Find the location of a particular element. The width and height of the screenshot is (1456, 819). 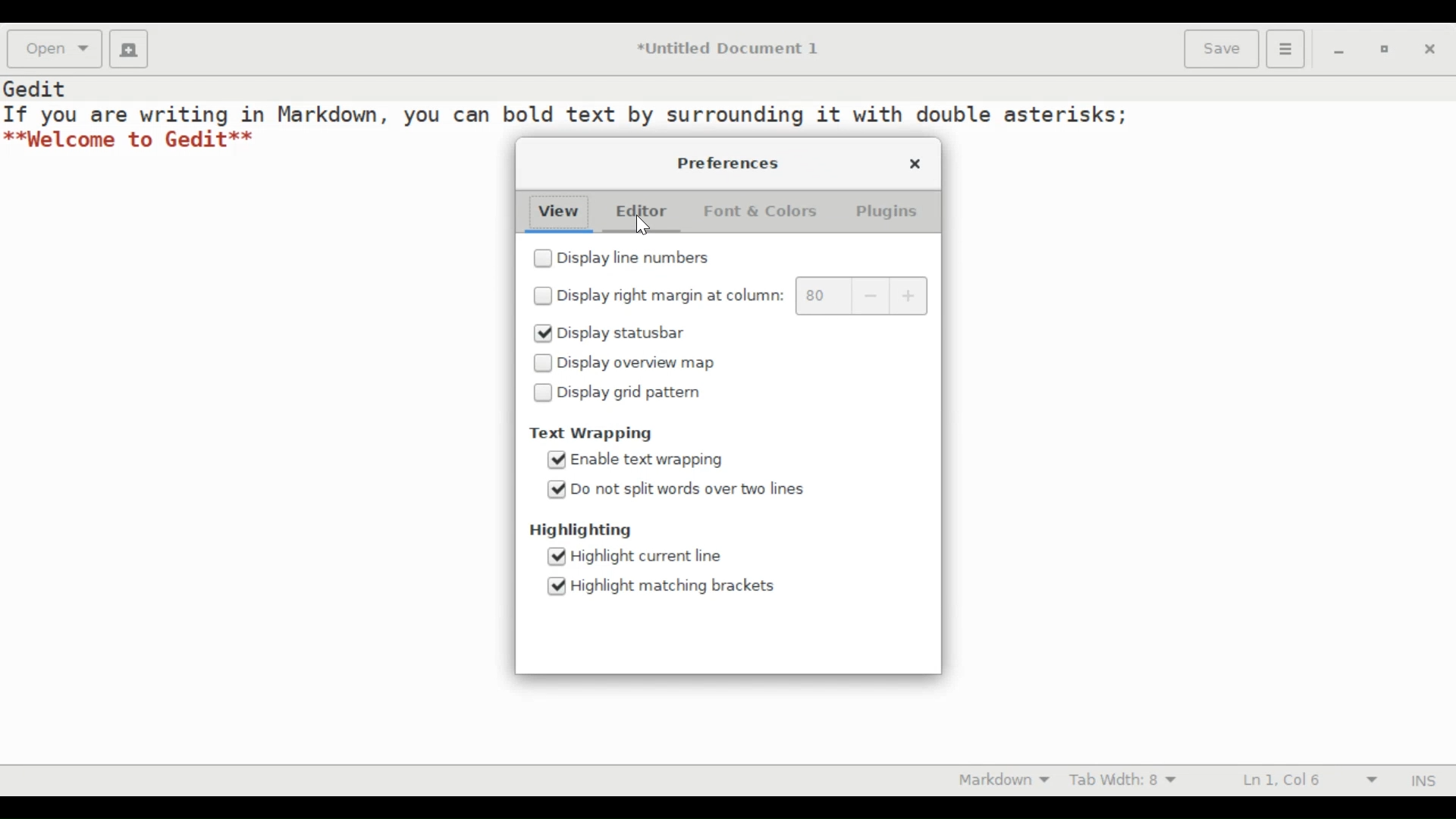

Display grid pattern is located at coordinates (631, 392).